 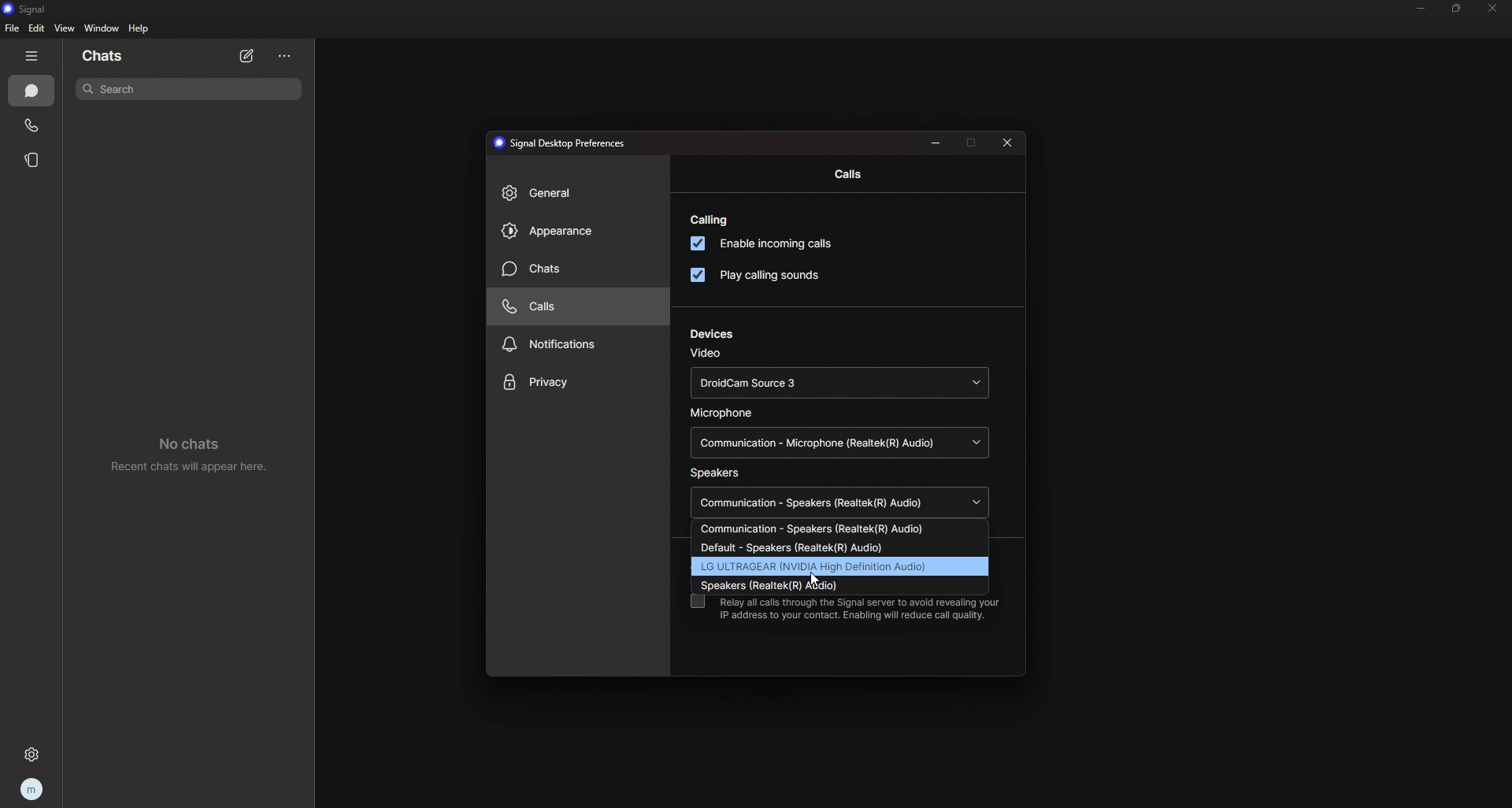 I want to click on stories, so click(x=34, y=161).